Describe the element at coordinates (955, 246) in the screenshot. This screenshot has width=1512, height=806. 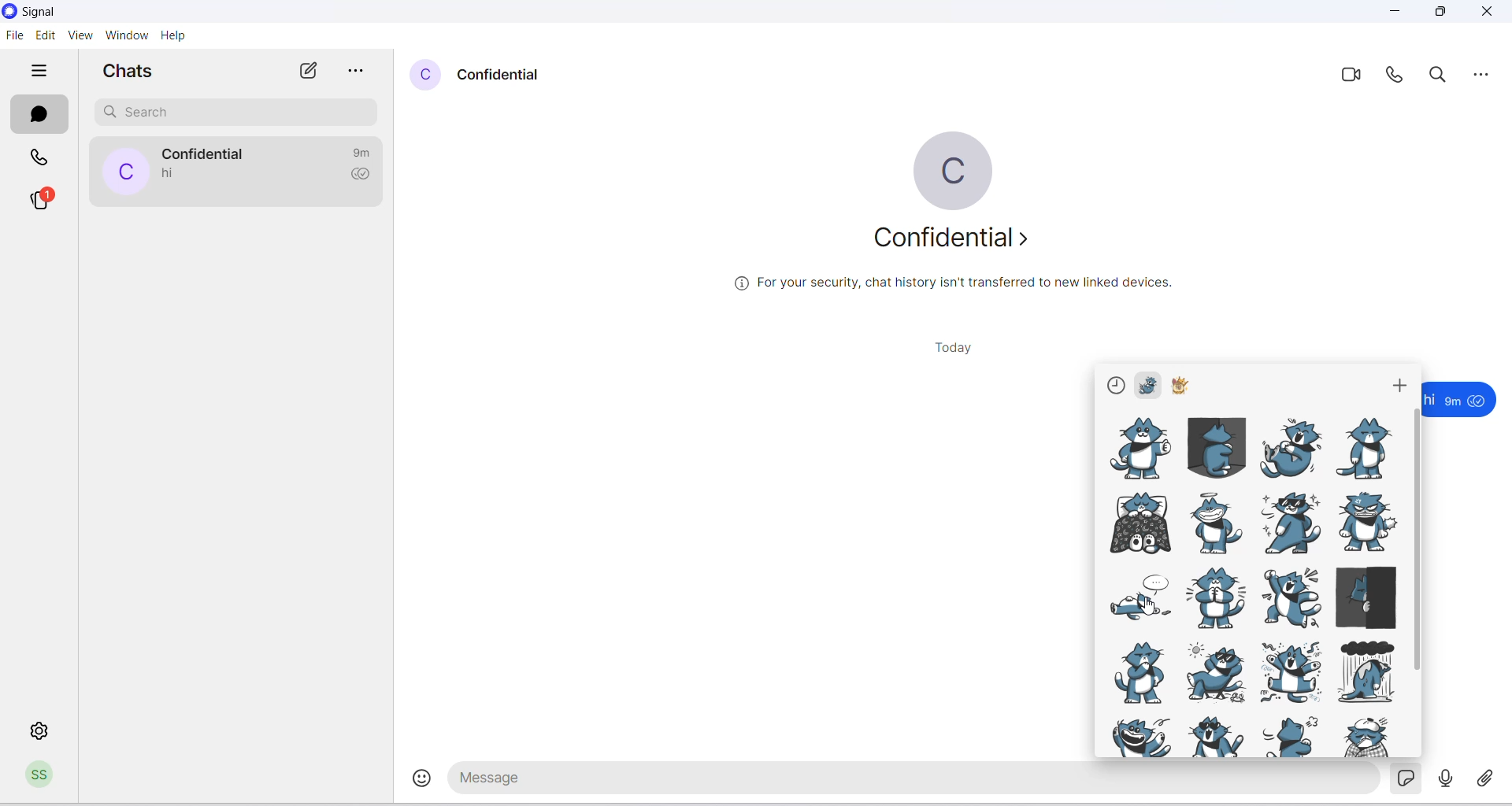
I see `about contact` at that location.